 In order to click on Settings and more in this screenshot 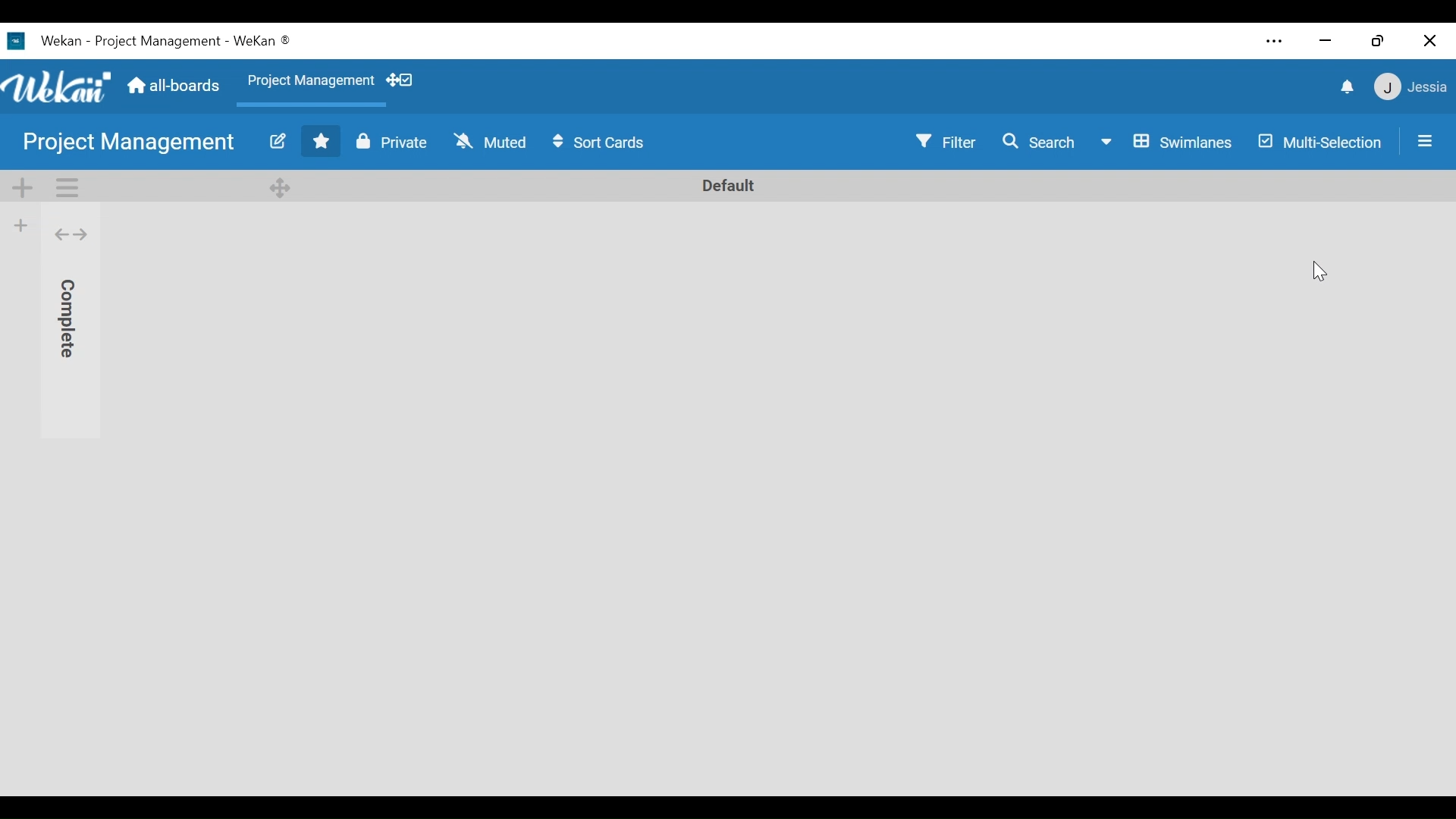, I will do `click(1273, 41)`.